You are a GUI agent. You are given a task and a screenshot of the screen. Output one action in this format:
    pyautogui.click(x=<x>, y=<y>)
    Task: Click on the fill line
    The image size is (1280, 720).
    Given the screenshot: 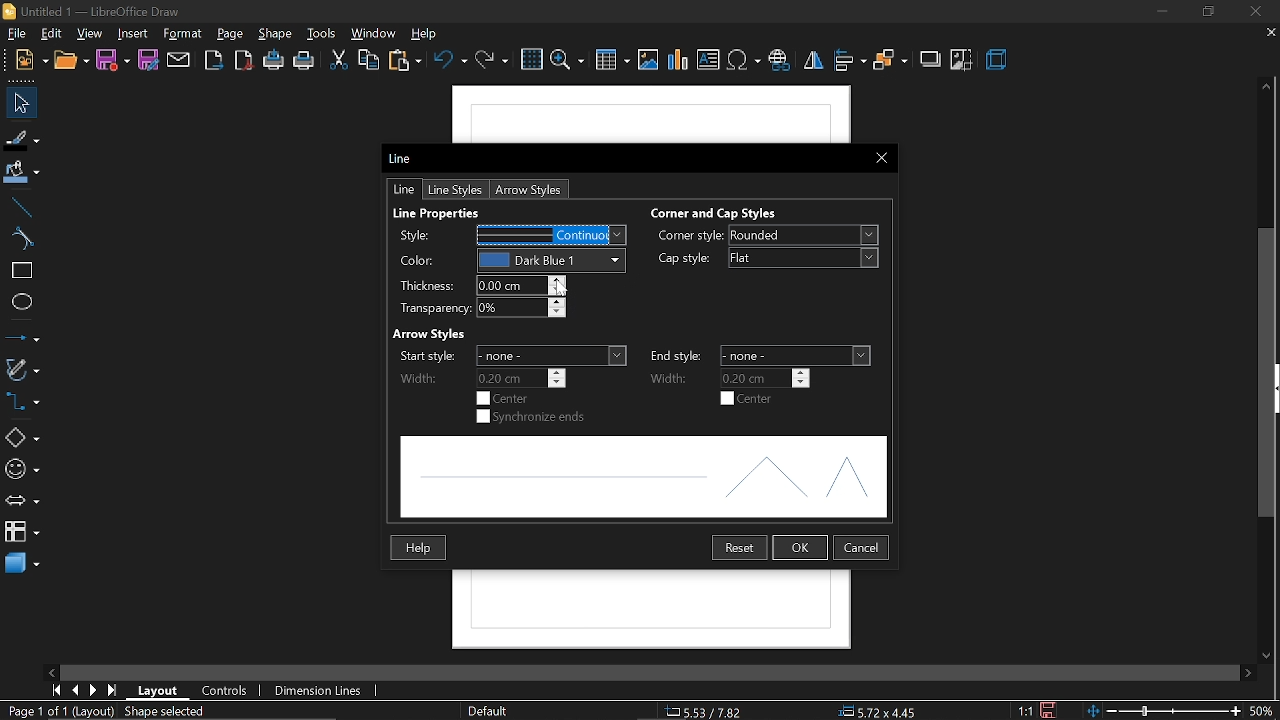 What is the action you would take?
    pyautogui.click(x=22, y=138)
    